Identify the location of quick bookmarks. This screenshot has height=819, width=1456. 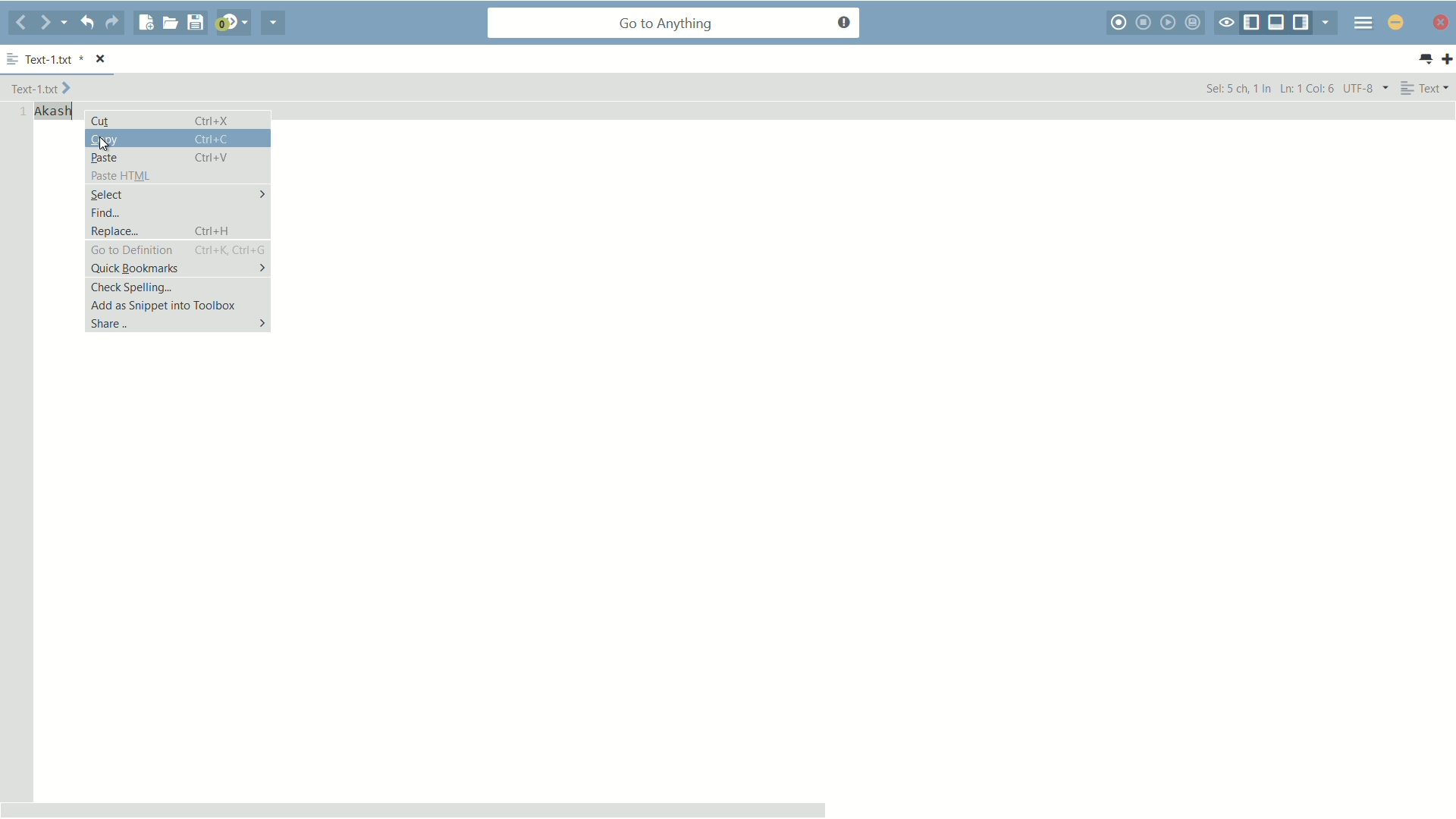
(177, 268).